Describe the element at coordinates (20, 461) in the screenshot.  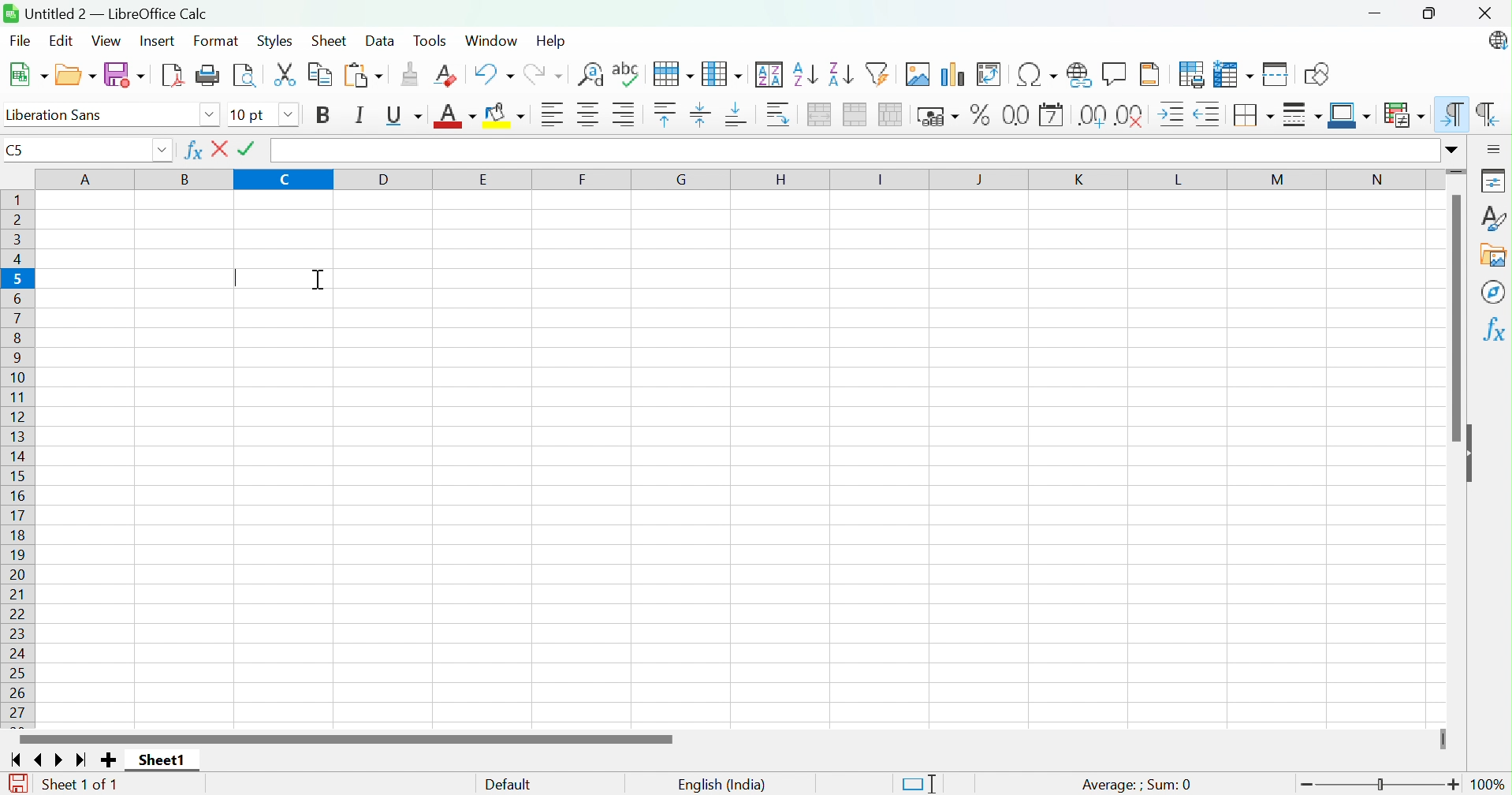
I see `Row names` at that location.